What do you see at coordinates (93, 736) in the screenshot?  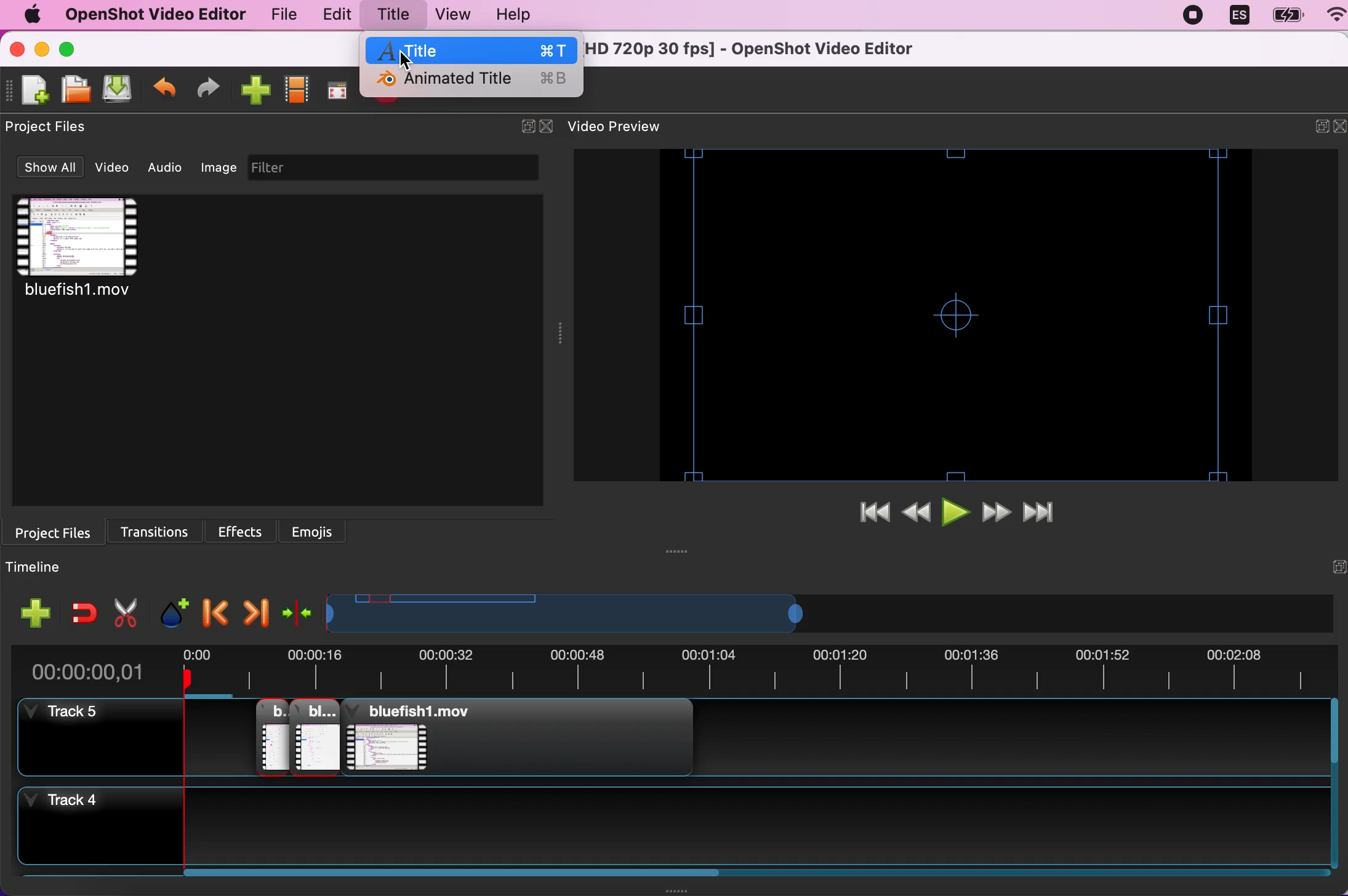 I see `track 5` at bounding box center [93, 736].